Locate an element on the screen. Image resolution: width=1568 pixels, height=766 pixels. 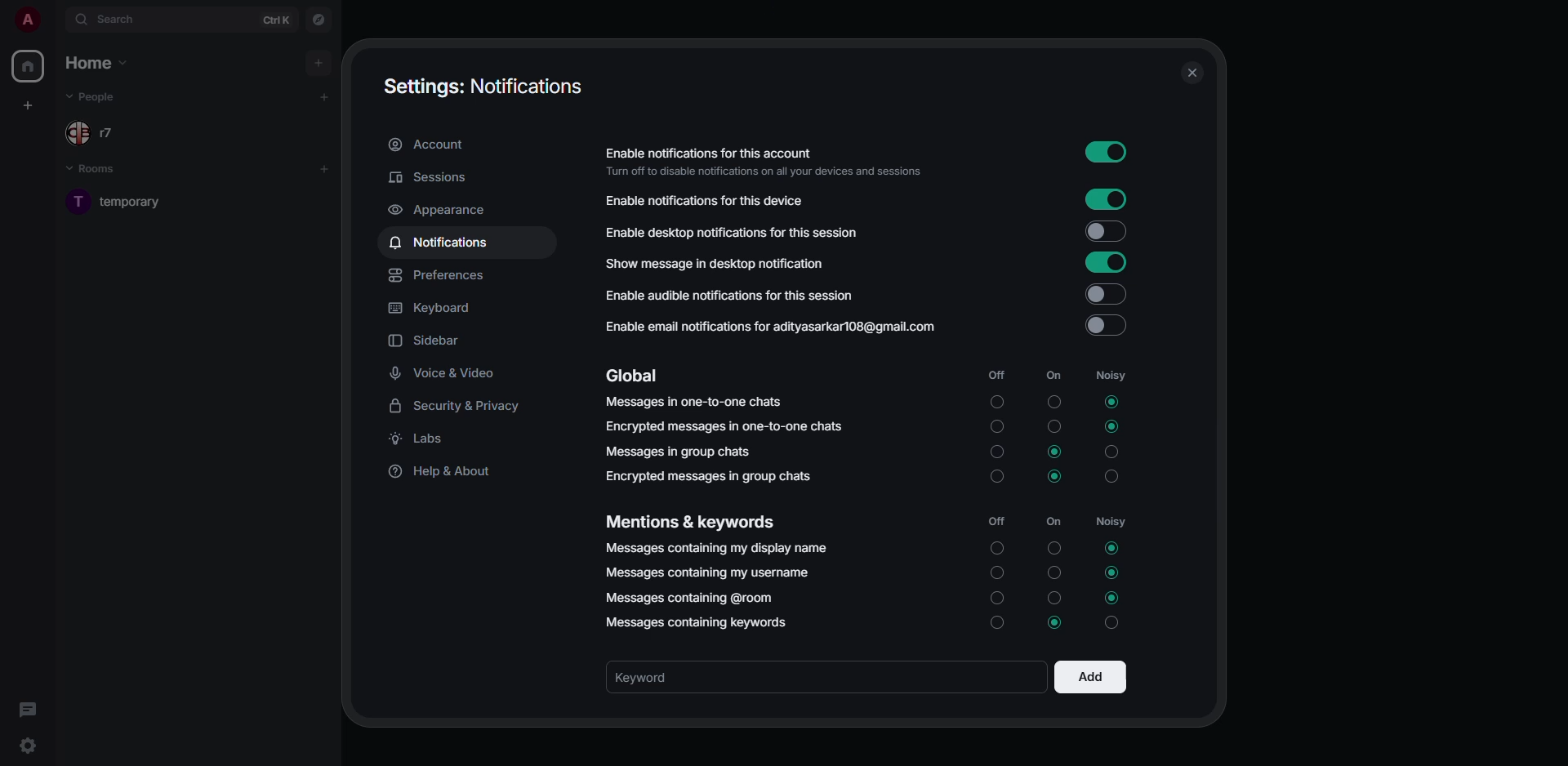
noisy is located at coordinates (1111, 452).